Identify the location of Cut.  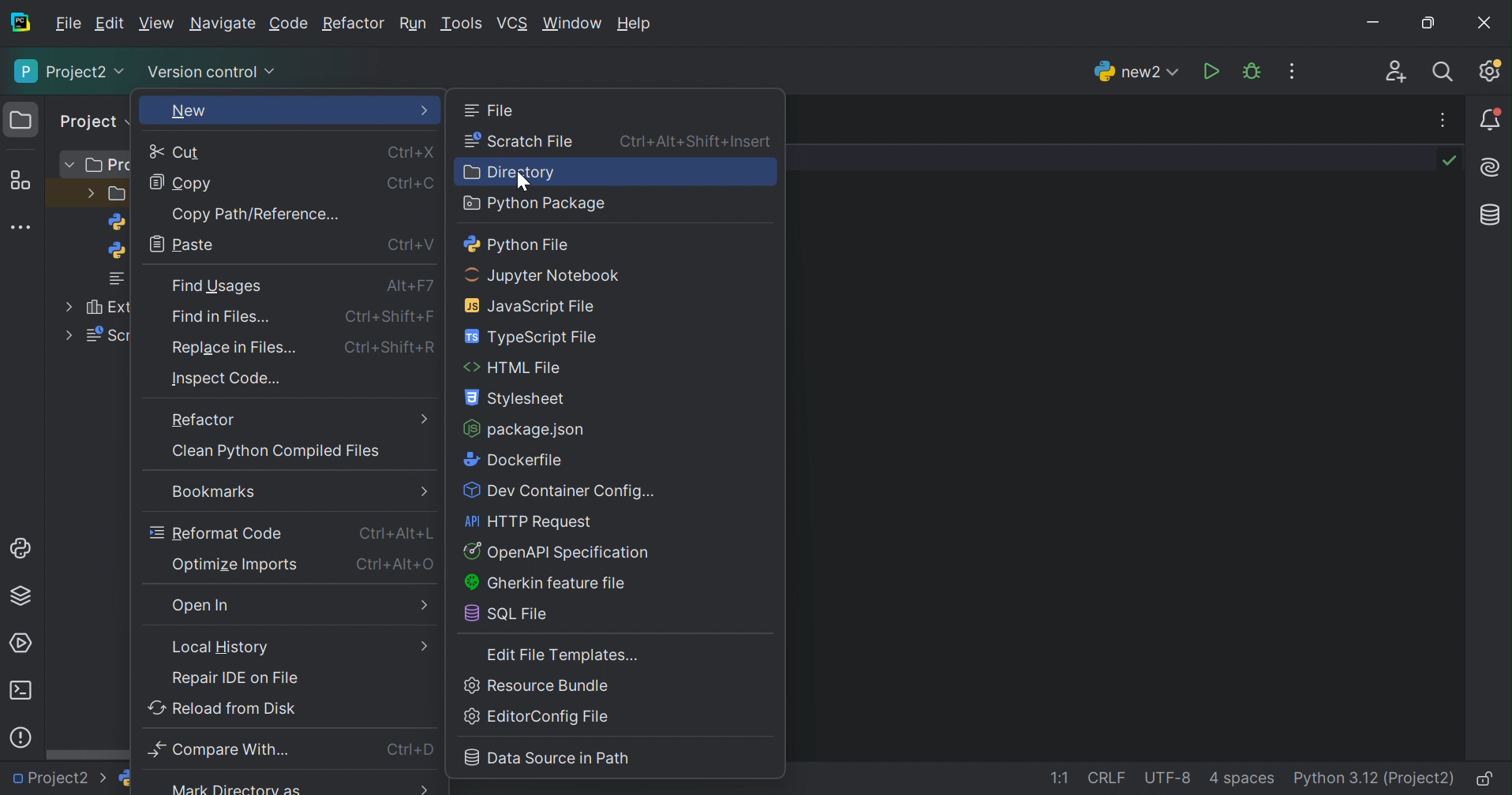
(174, 153).